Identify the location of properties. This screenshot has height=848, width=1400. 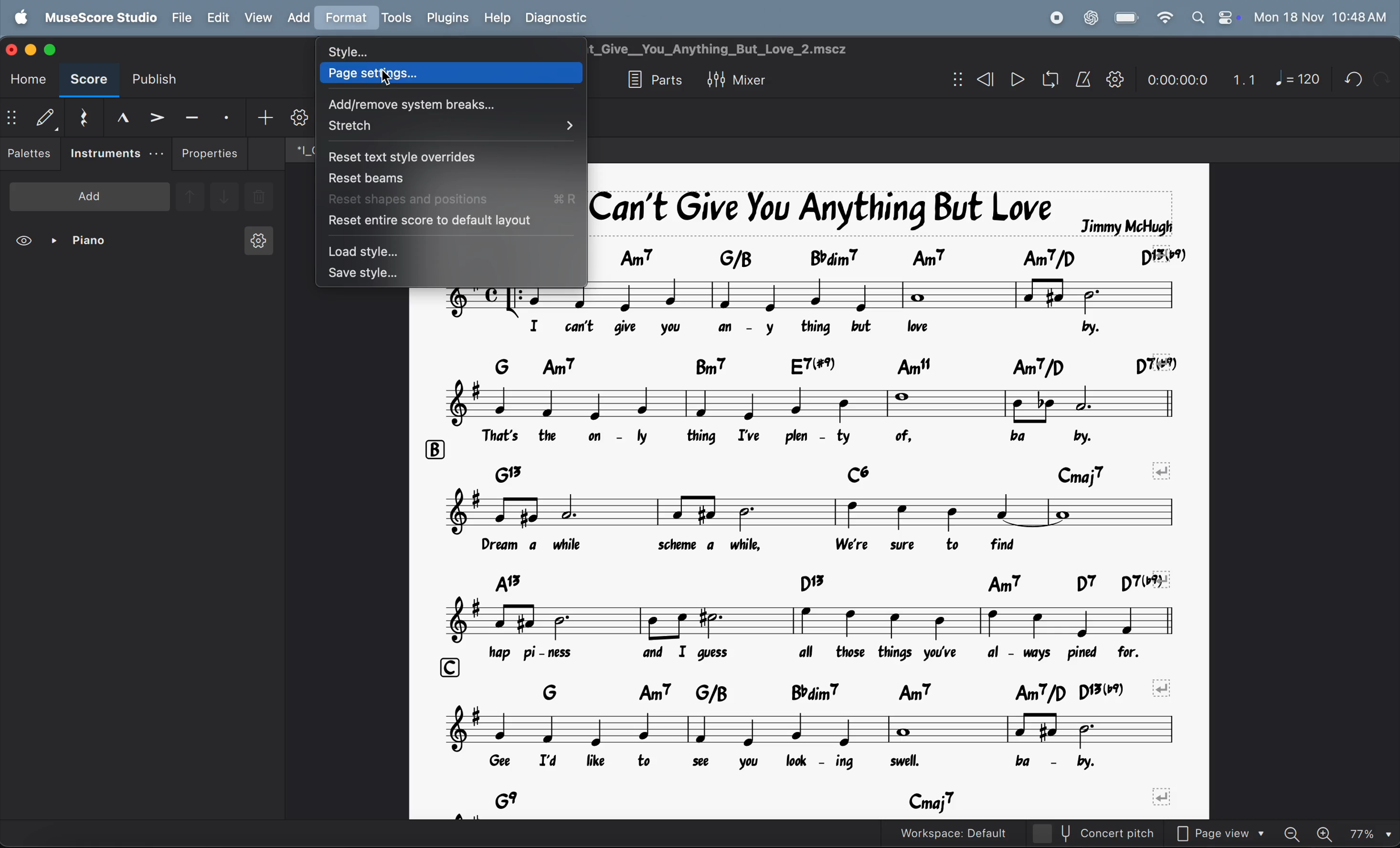
(210, 153).